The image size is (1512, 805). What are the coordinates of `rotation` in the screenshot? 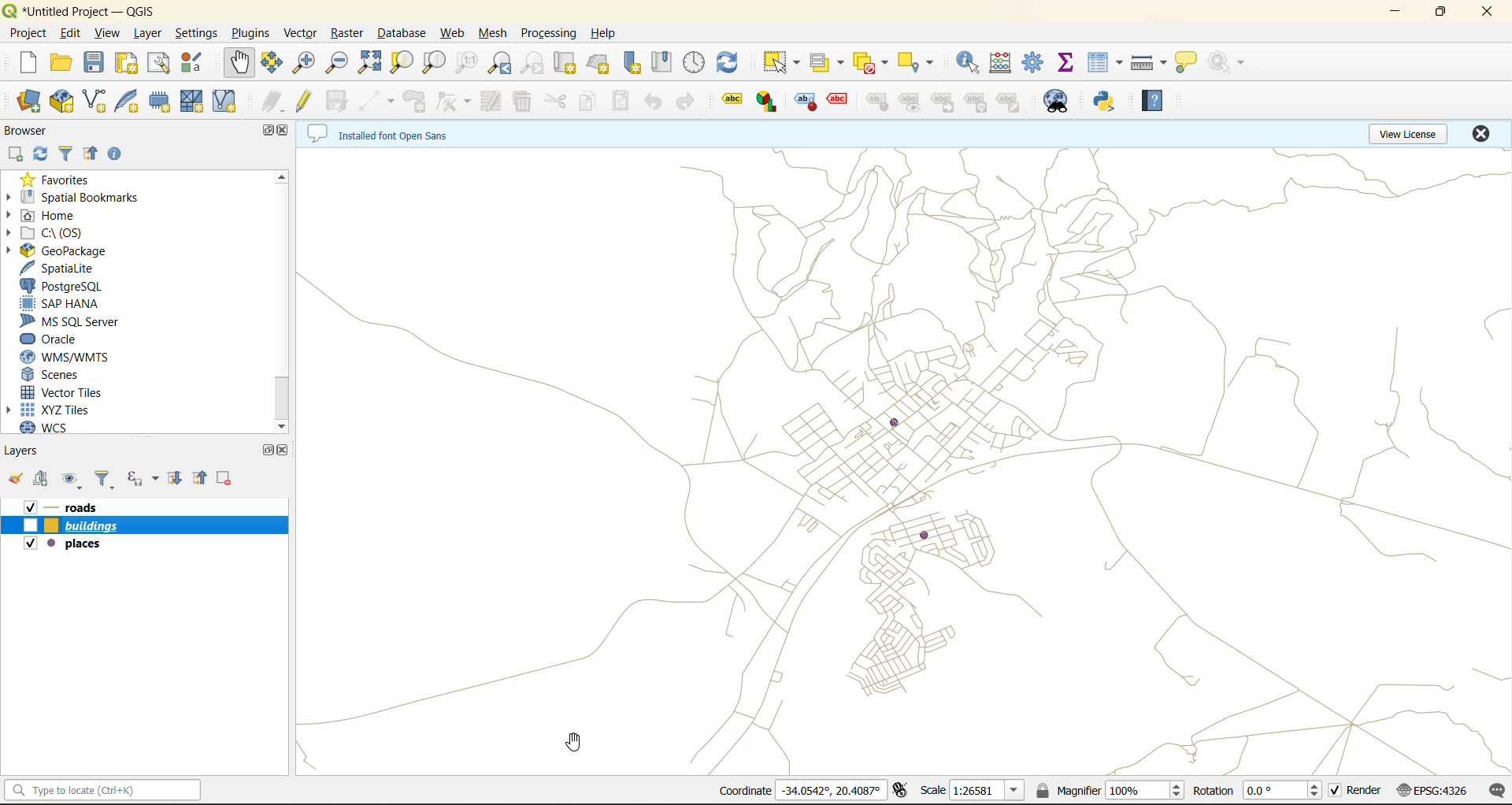 It's located at (1255, 793).